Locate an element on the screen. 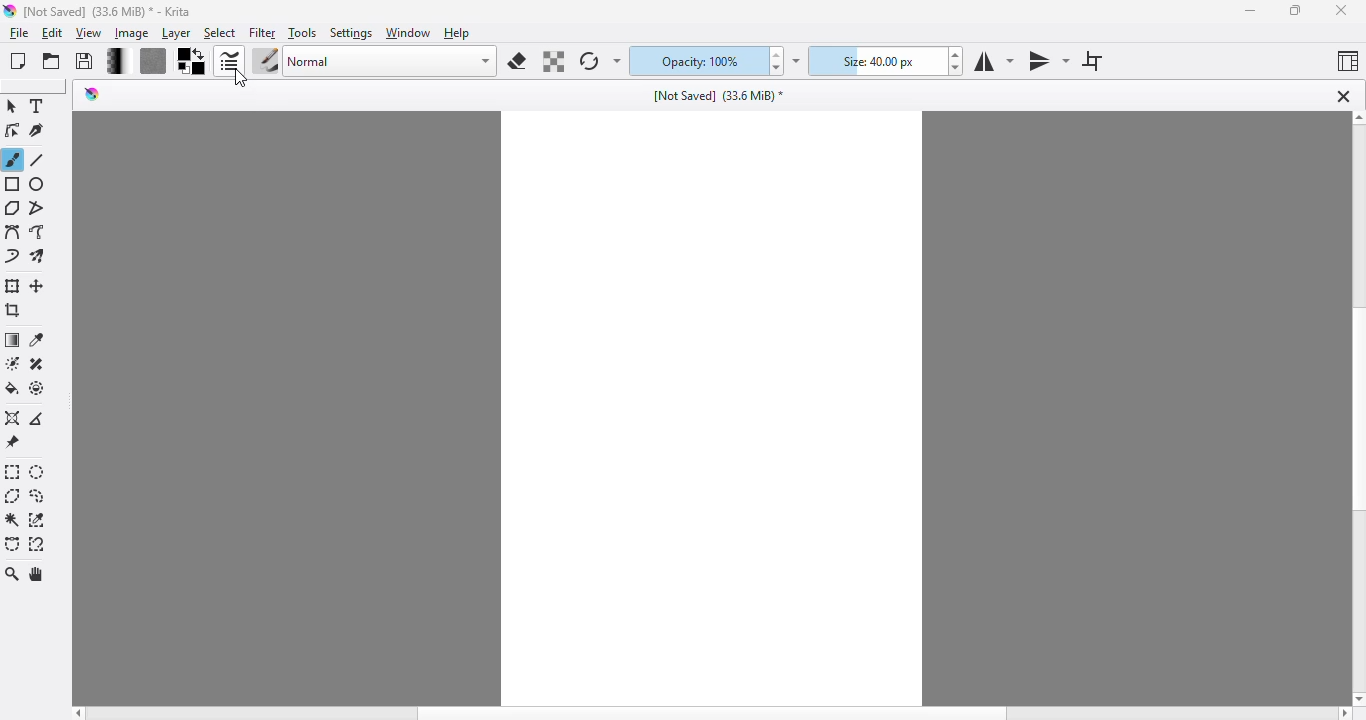 This screenshot has width=1366, height=720. freehand selection tool is located at coordinates (37, 496).